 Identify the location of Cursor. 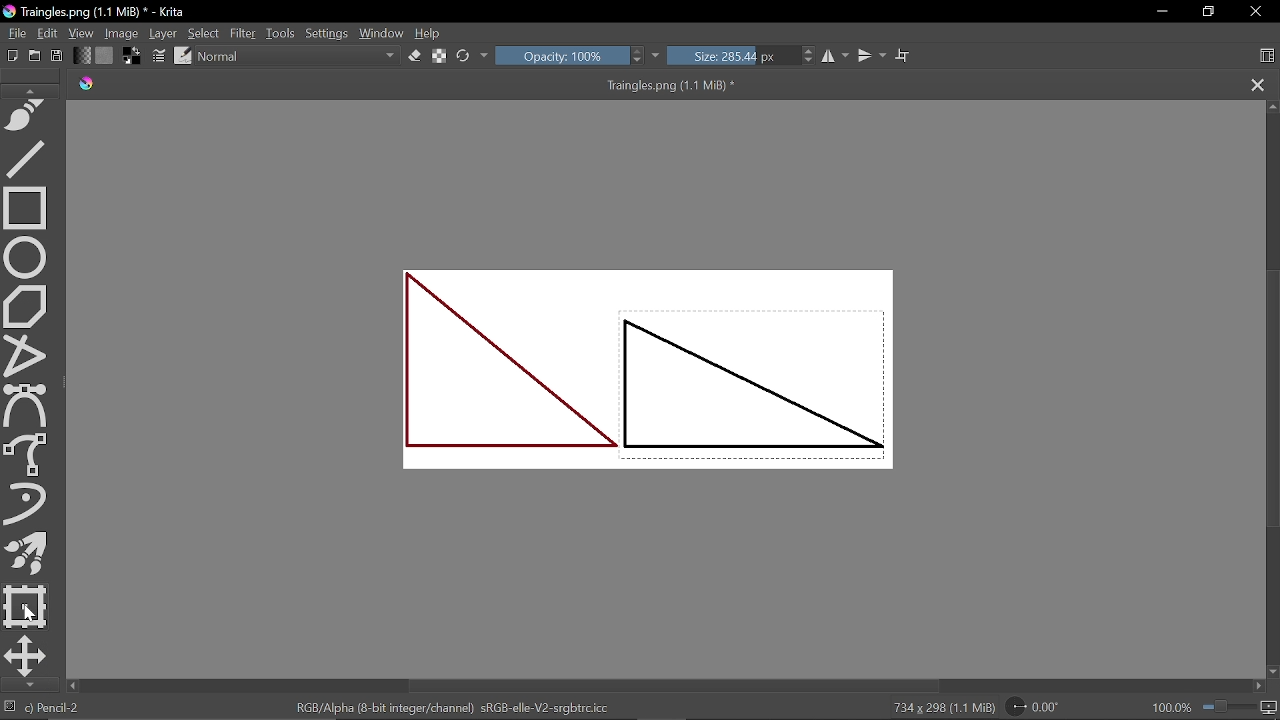
(30, 614).